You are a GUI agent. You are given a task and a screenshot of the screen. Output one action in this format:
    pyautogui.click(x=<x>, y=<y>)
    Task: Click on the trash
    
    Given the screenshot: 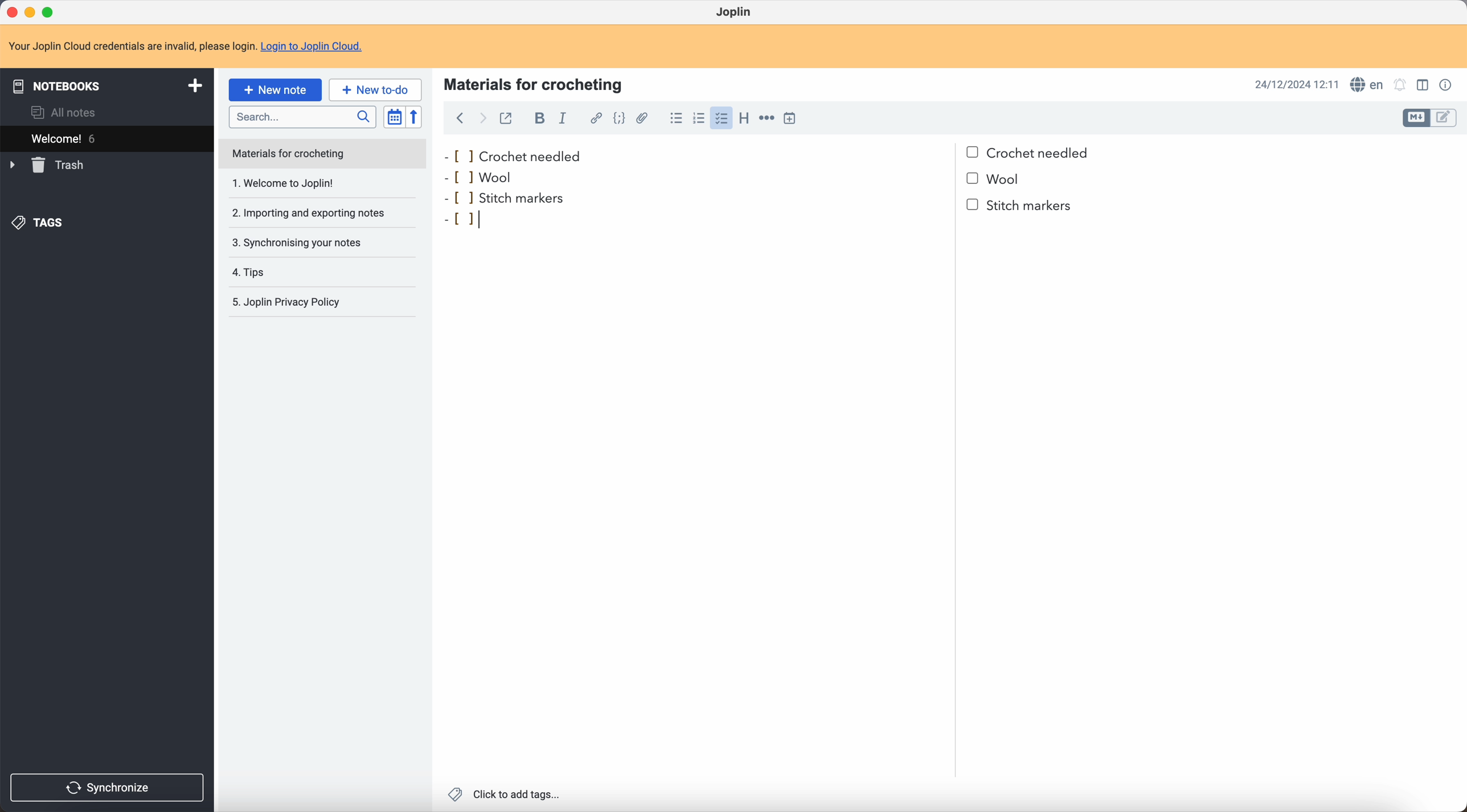 What is the action you would take?
    pyautogui.click(x=49, y=165)
    